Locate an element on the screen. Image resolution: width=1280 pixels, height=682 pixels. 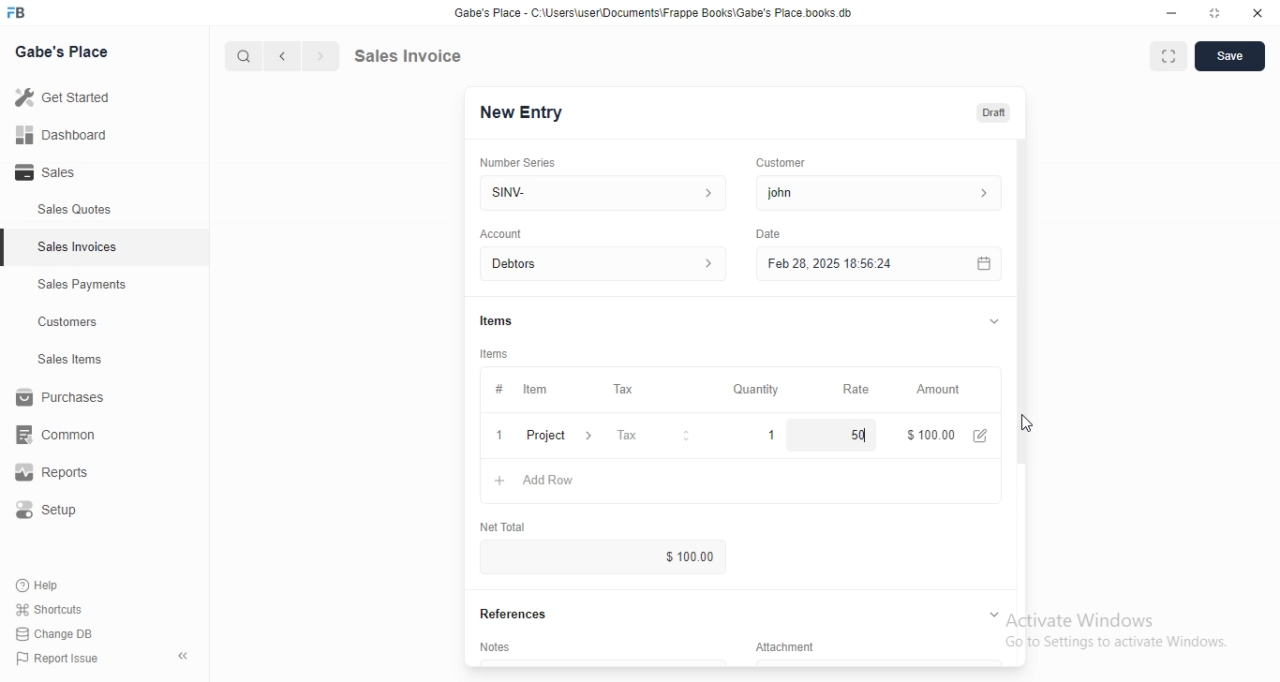
‘Number Series. is located at coordinates (520, 161).